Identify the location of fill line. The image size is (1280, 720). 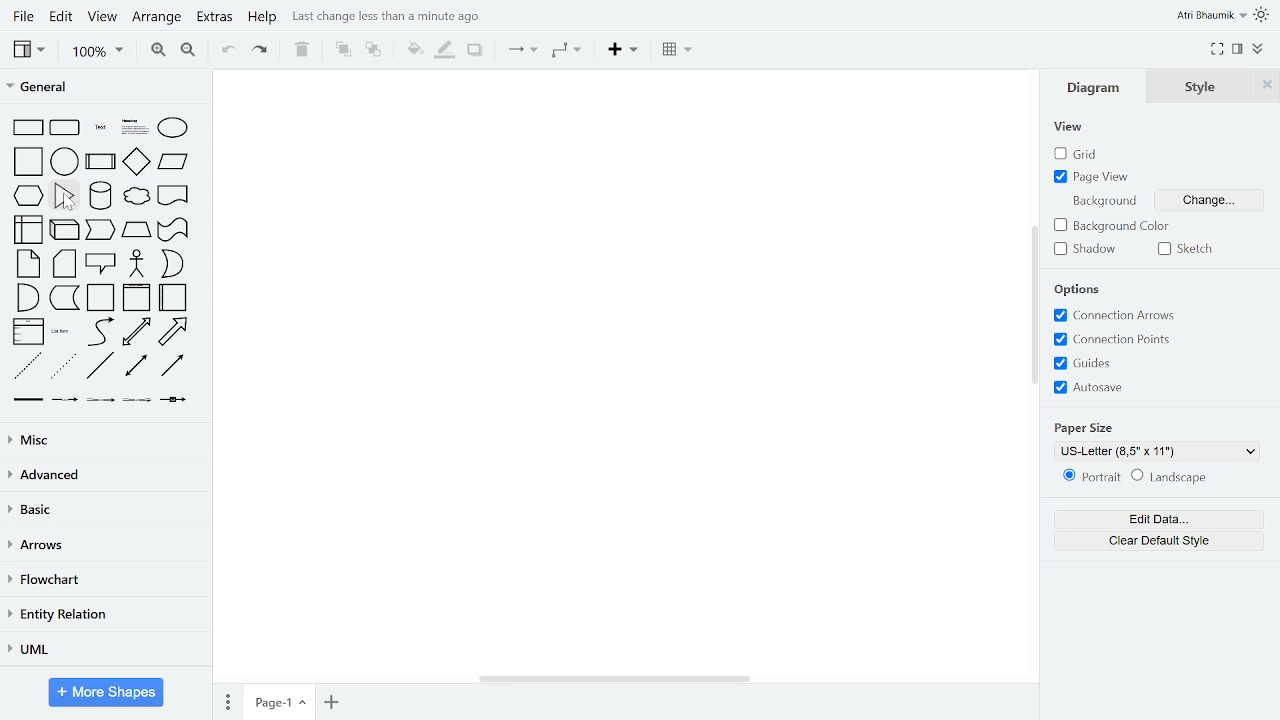
(444, 49).